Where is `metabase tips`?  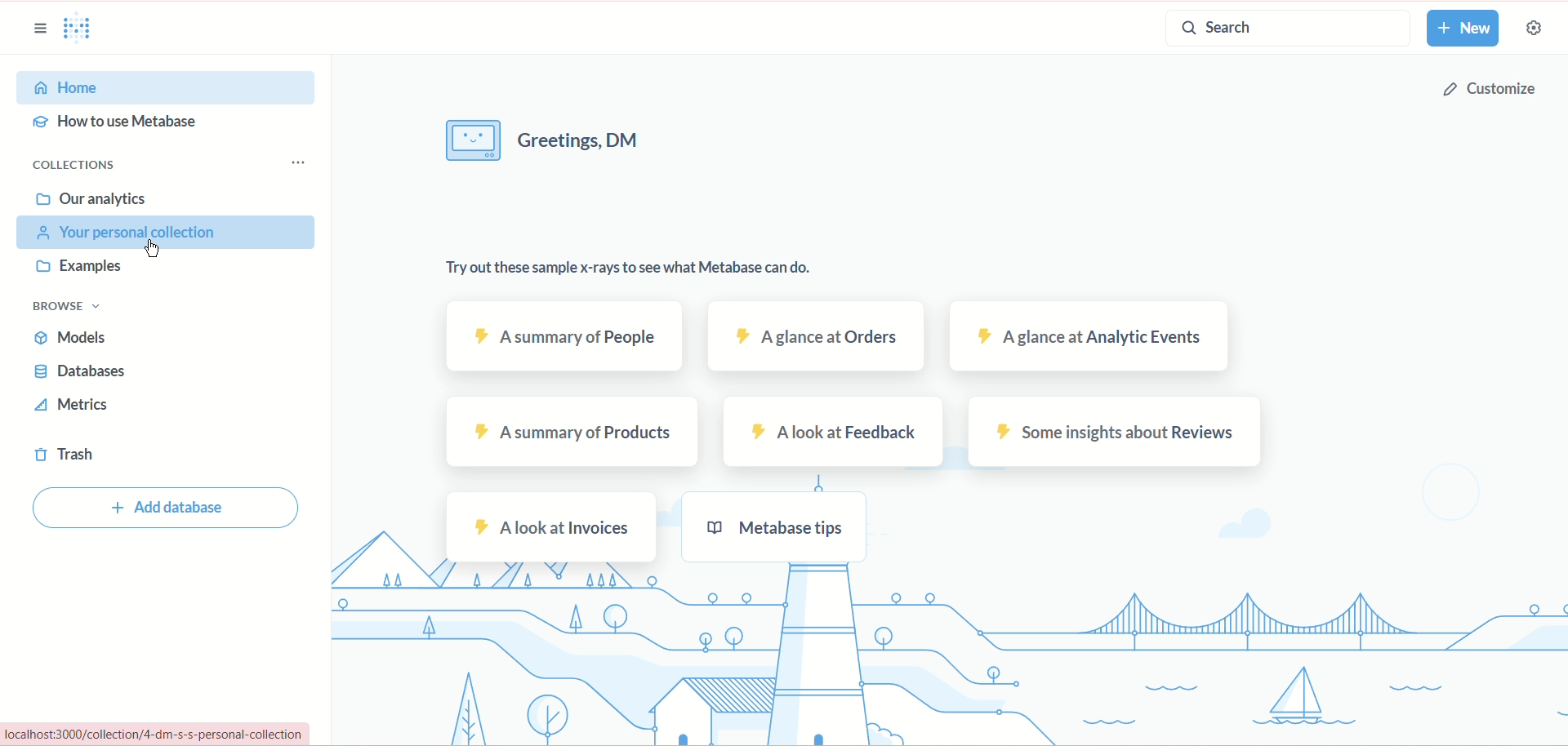
metabase tips is located at coordinates (775, 526).